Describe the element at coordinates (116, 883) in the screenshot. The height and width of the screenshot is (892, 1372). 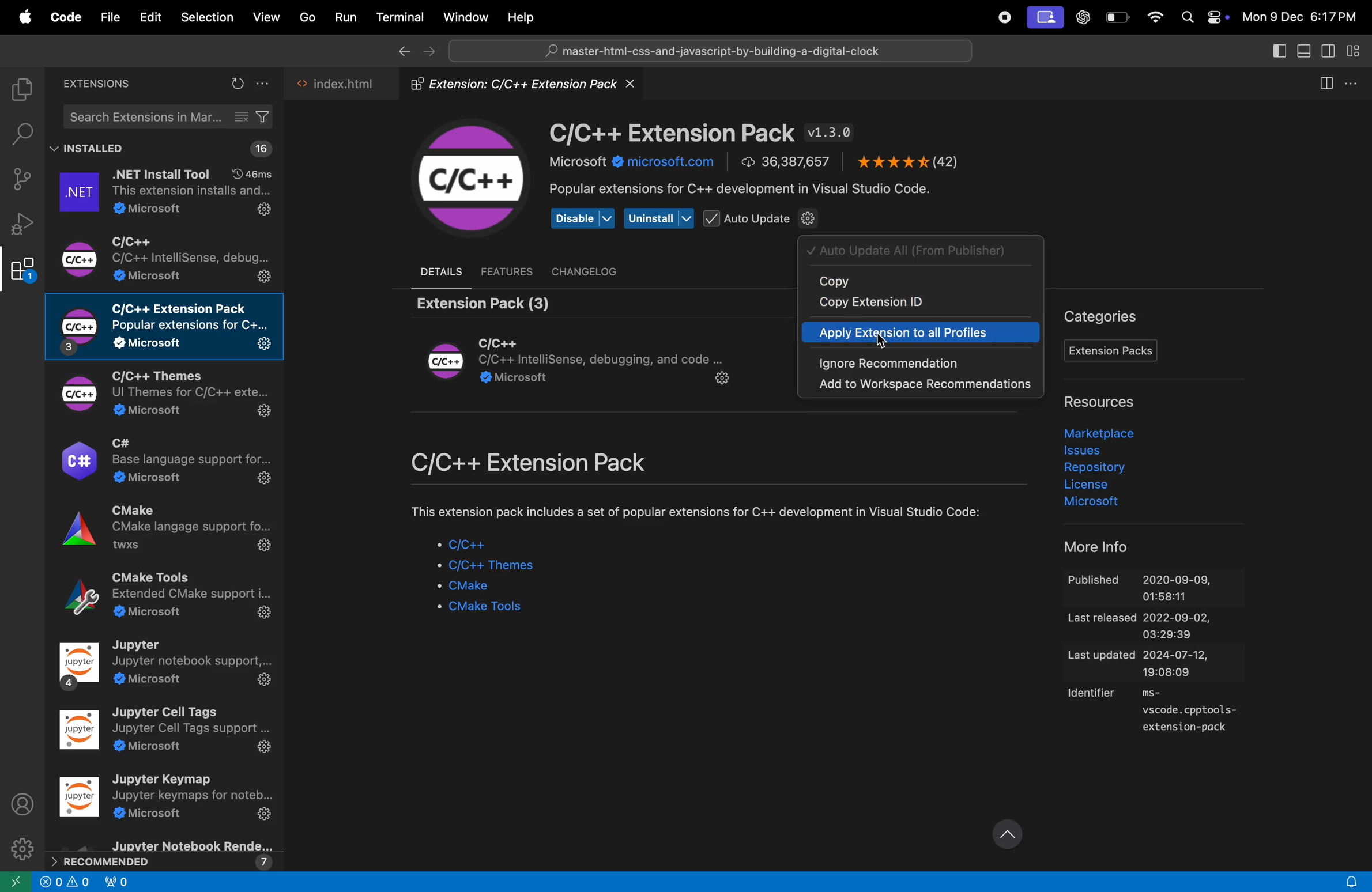
I see `alert` at that location.